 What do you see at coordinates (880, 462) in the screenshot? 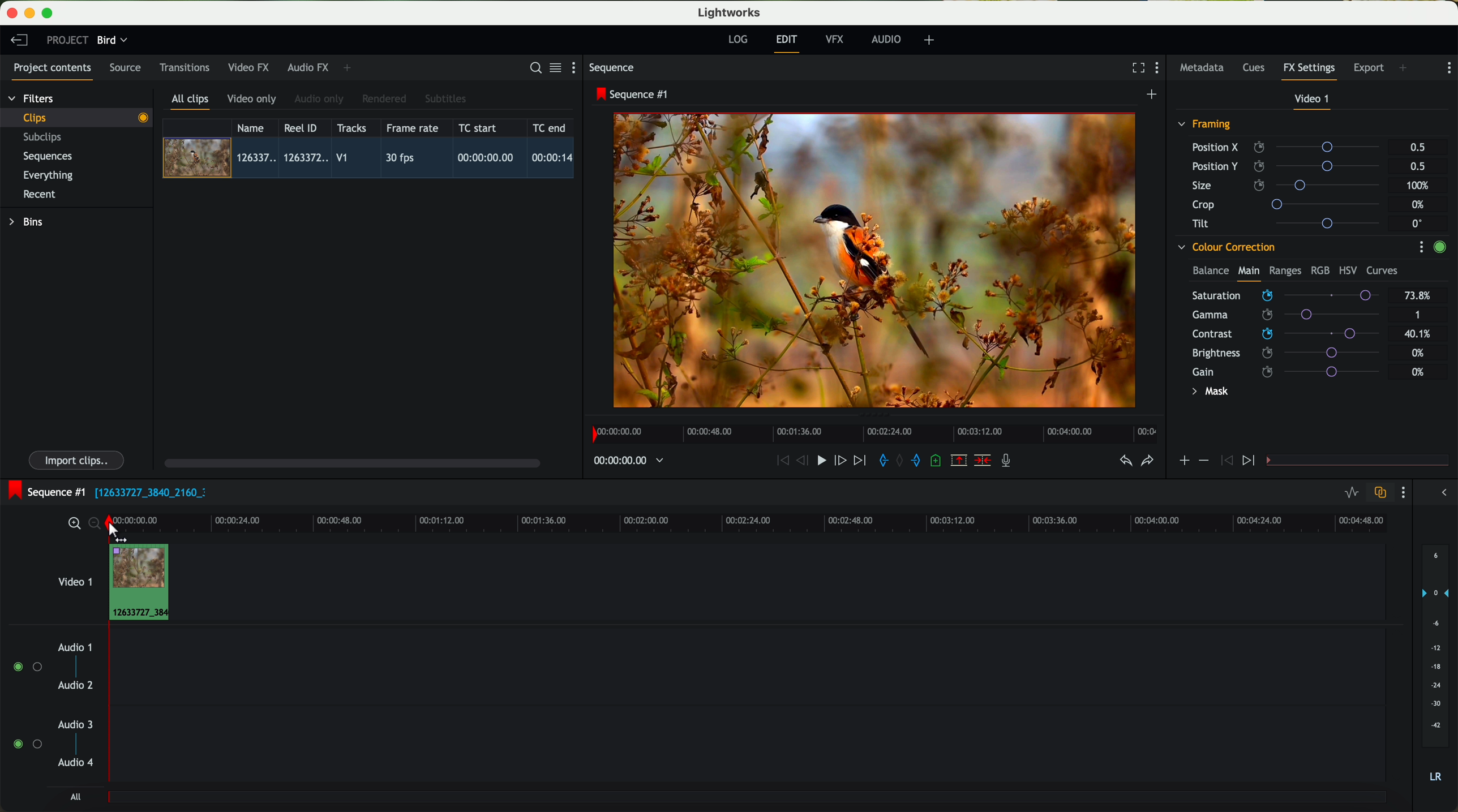
I see `add 'in' mark` at bounding box center [880, 462].